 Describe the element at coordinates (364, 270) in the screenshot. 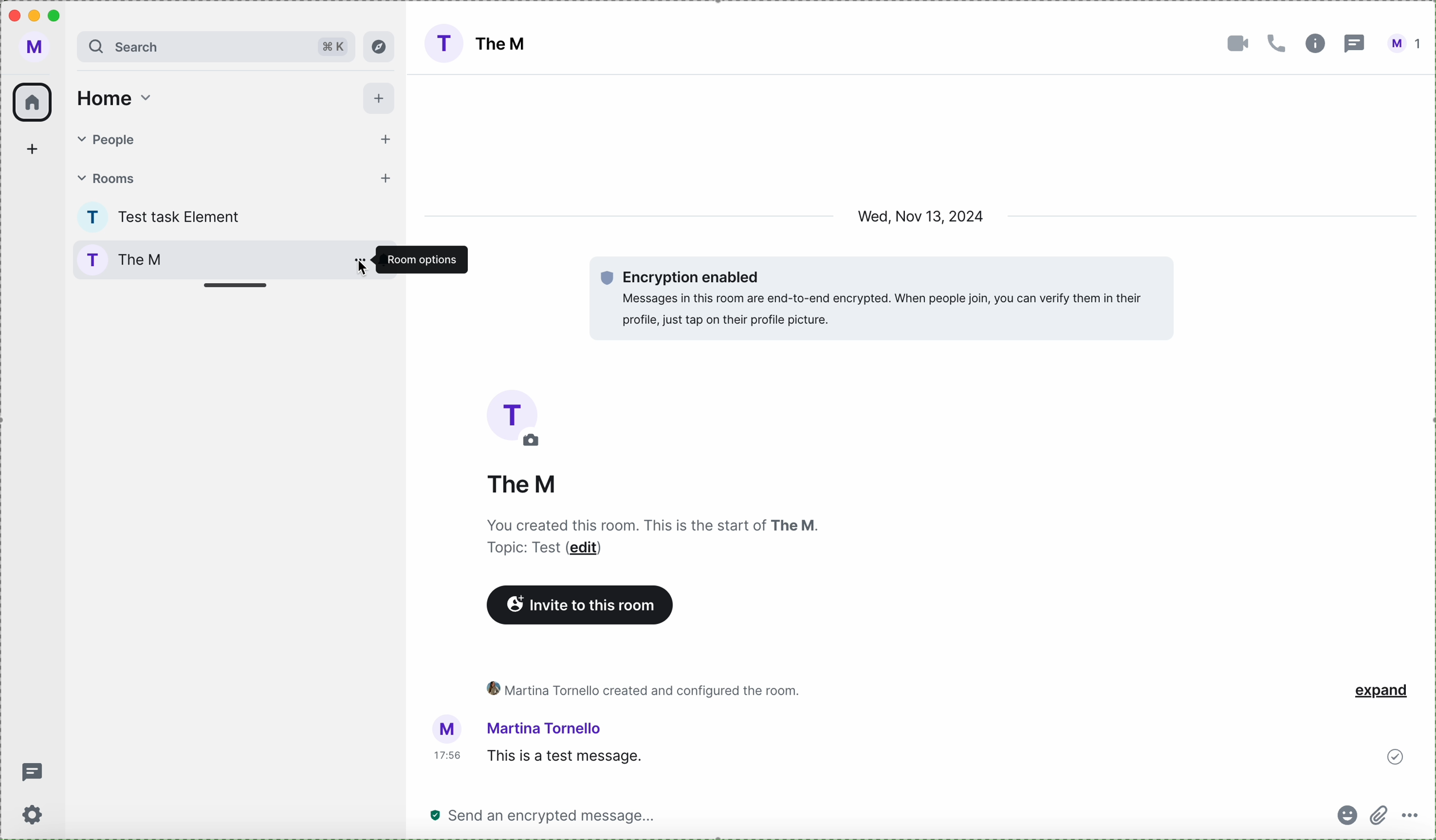

I see `cursor` at that location.